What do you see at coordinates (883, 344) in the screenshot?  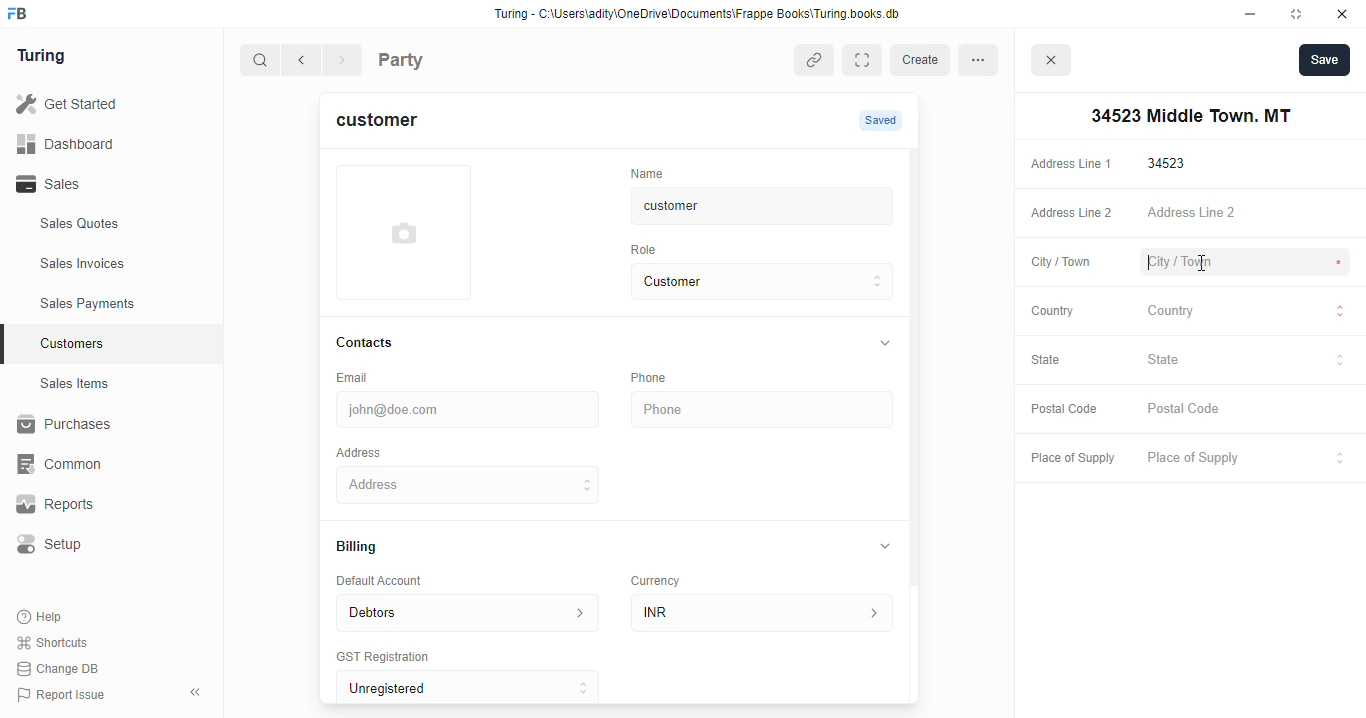 I see `collapse` at bounding box center [883, 344].